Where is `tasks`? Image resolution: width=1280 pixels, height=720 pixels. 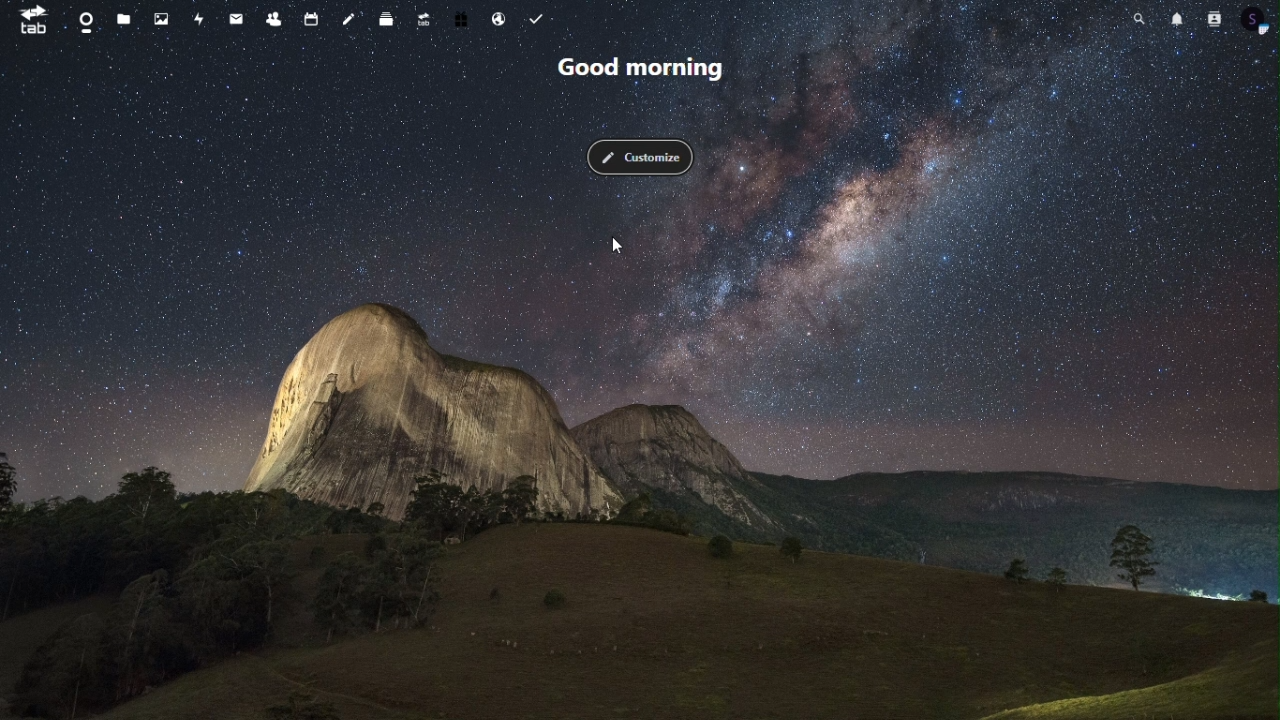
tasks is located at coordinates (540, 19).